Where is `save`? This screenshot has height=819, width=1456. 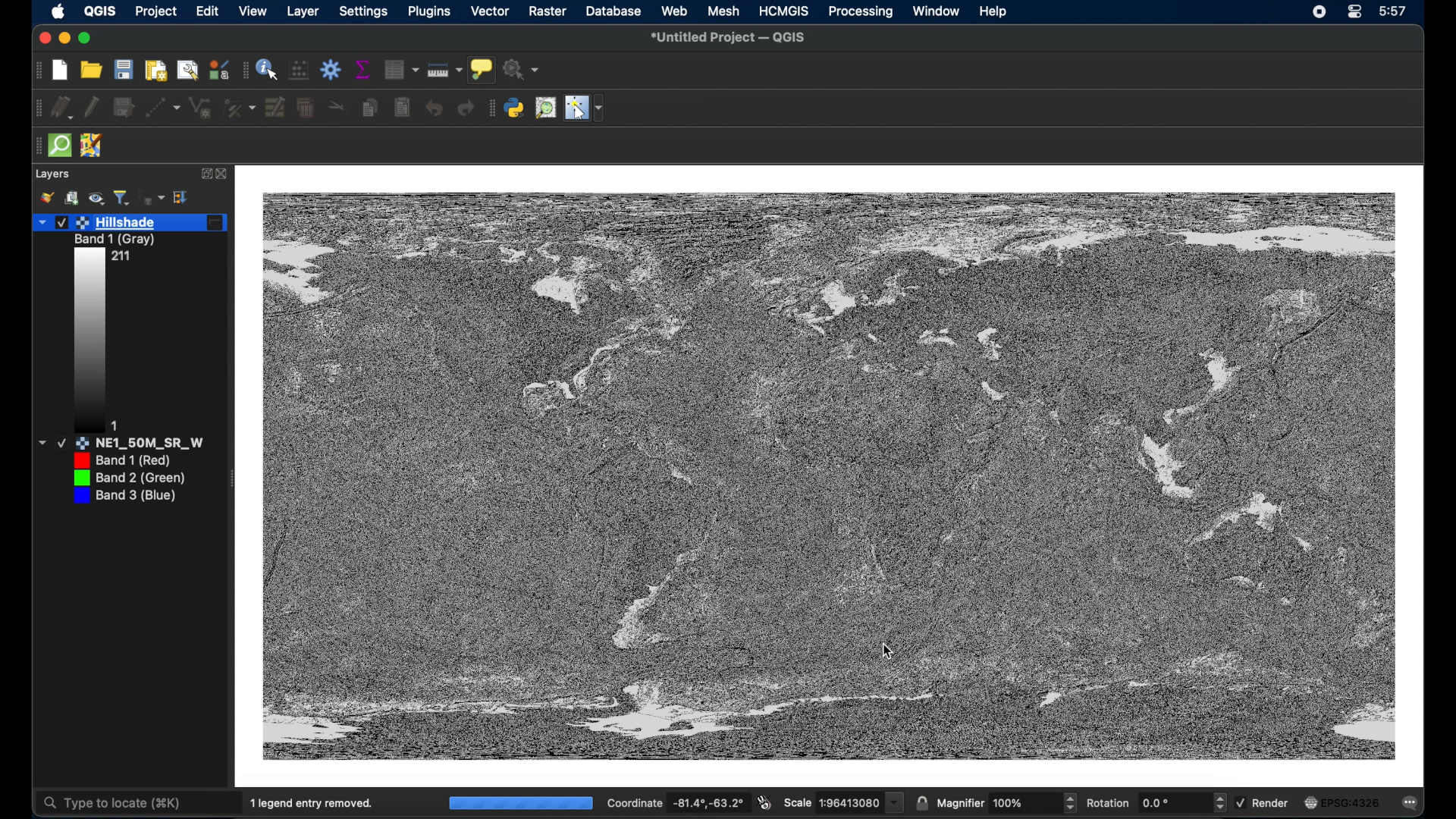
save is located at coordinates (123, 70).